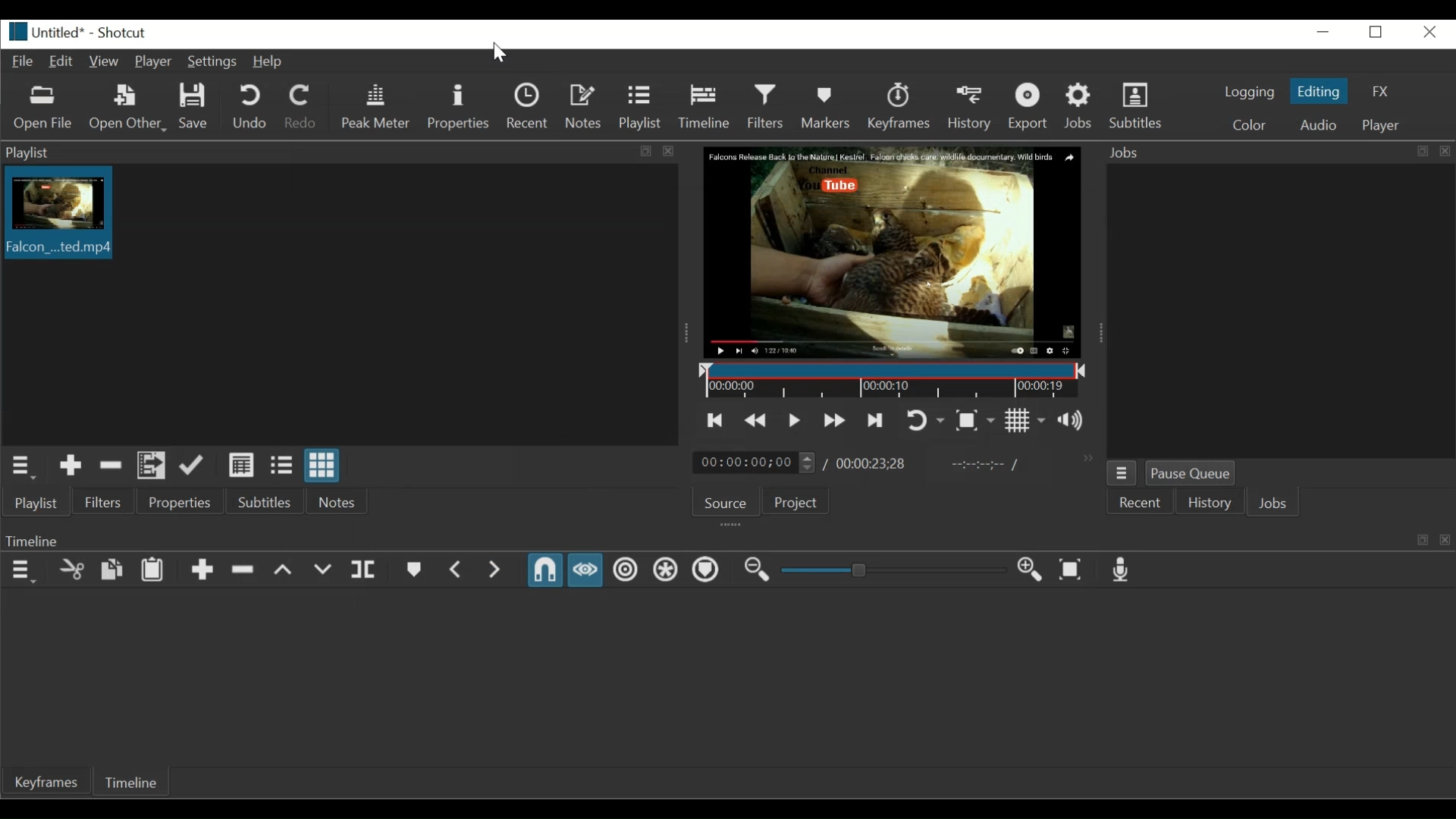 This screenshot has width=1456, height=819. What do you see at coordinates (833, 421) in the screenshot?
I see `Play quickly forward` at bounding box center [833, 421].